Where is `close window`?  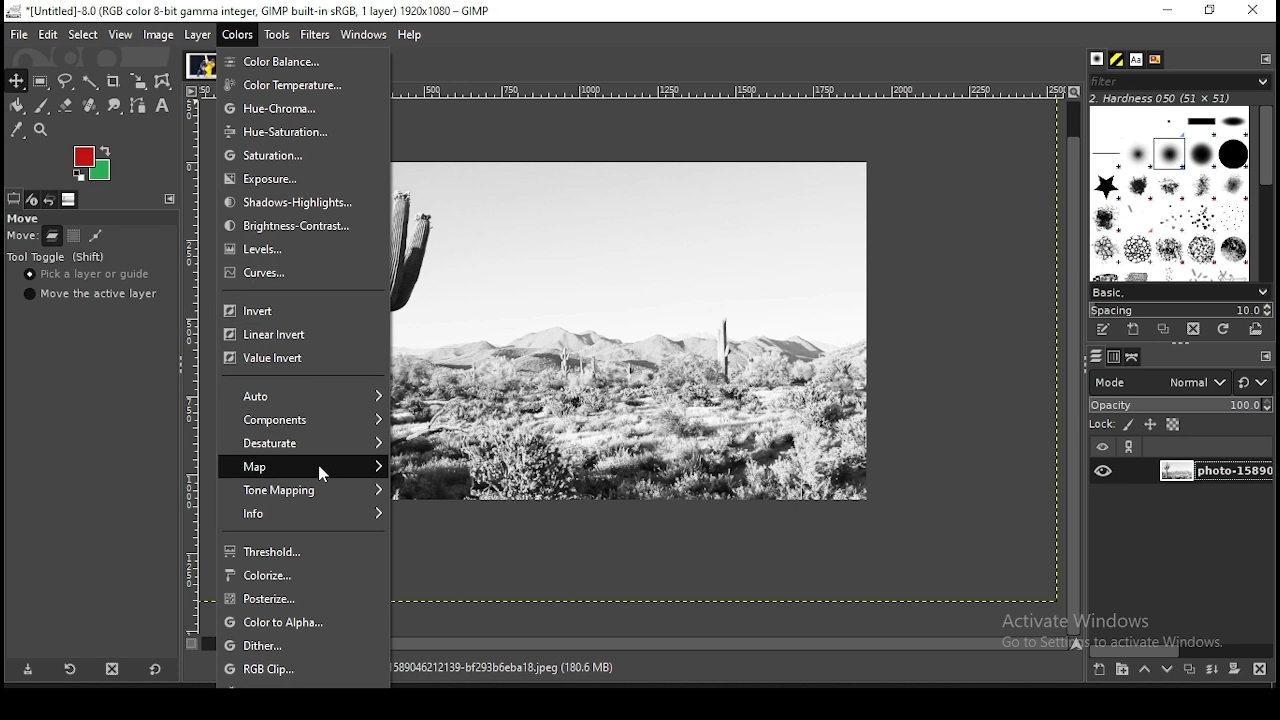
close window is located at coordinates (1252, 10).